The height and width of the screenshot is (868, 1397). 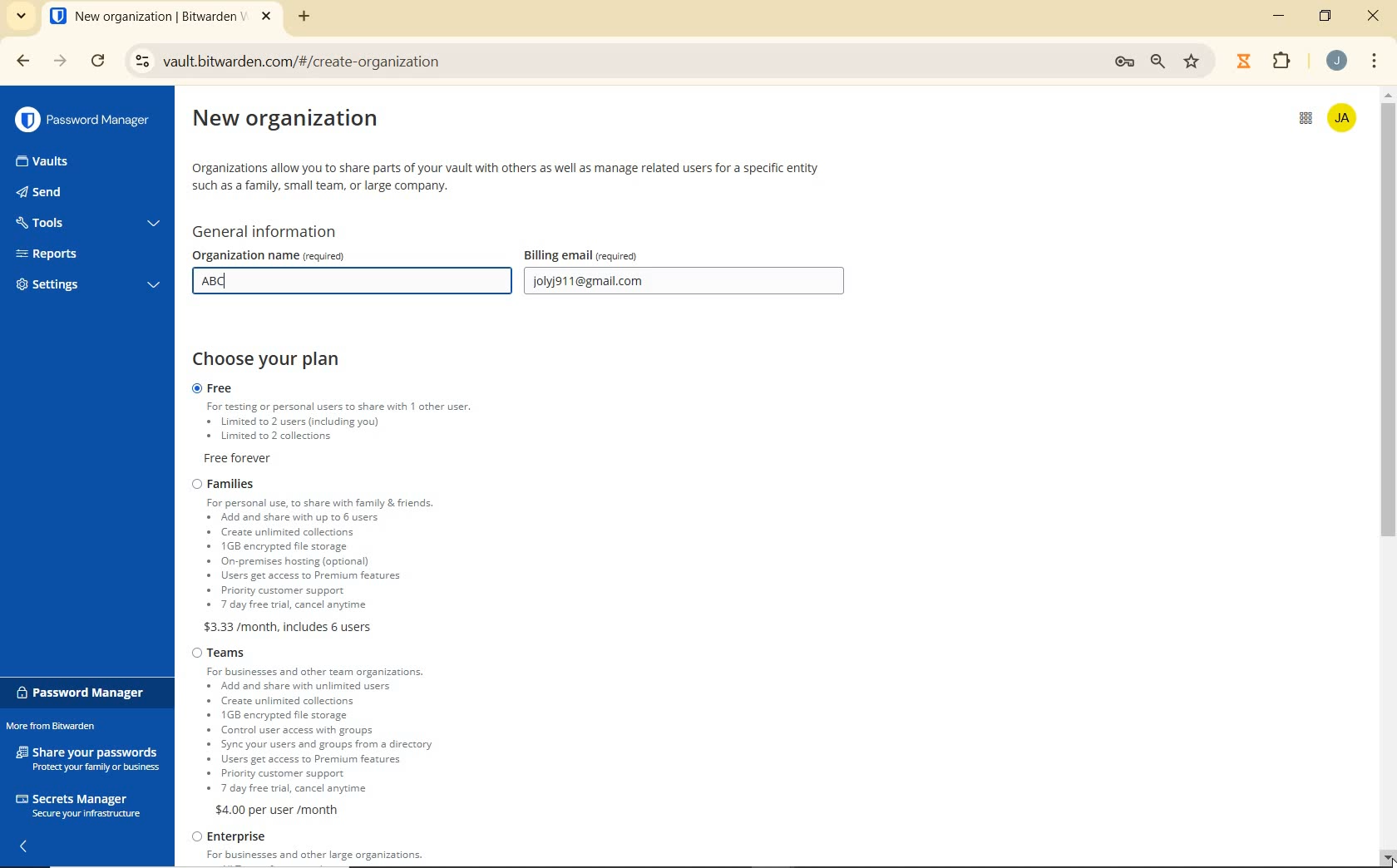 What do you see at coordinates (617, 254) in the screenshot?
I see `billing email` at bounding box center [617, 254].